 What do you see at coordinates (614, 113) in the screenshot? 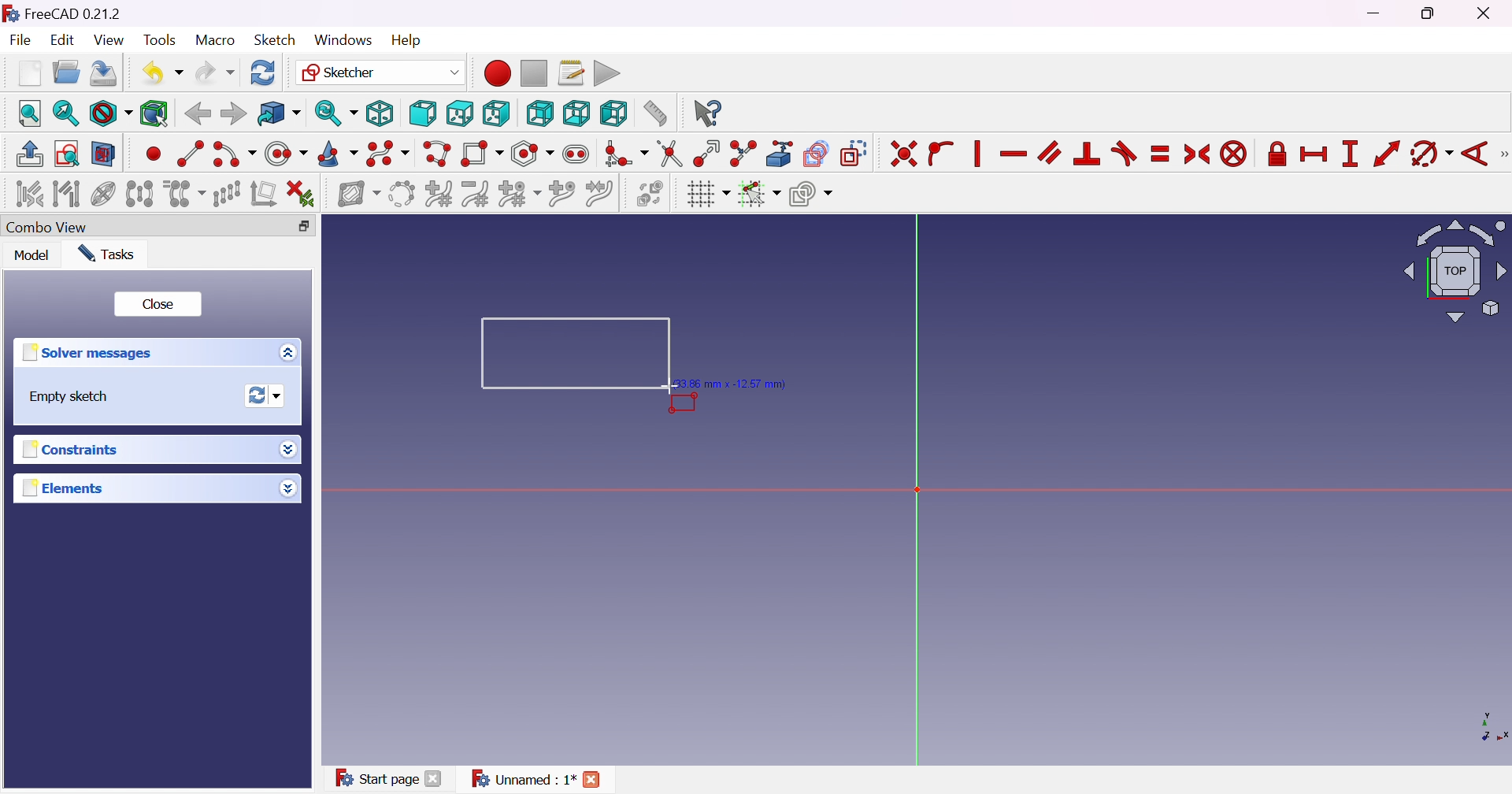
I see `Left` at bounding box center [614, 113].